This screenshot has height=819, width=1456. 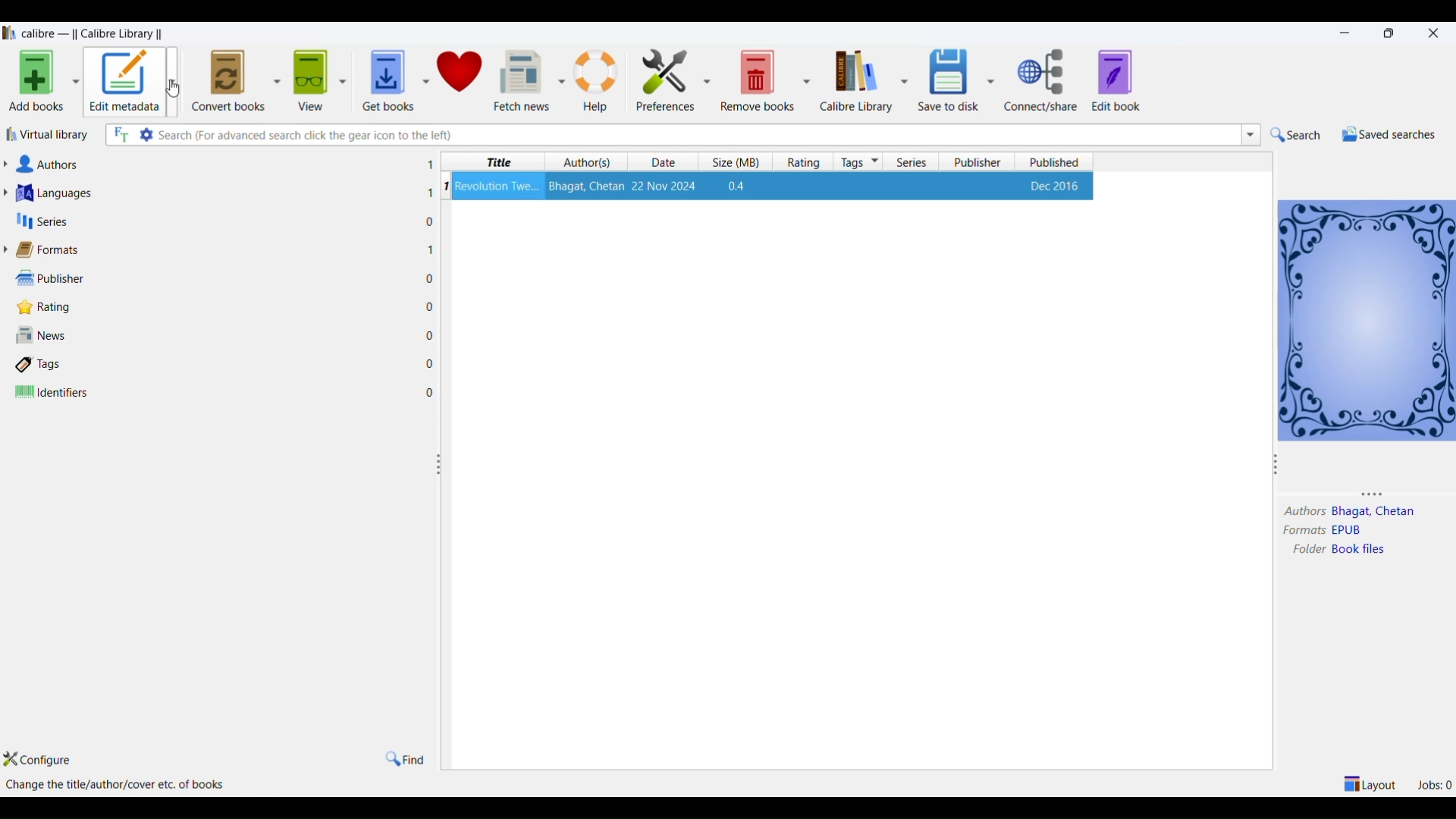 What do you see at coordinates (461, 74) in the screenshot?
I see `donate to calibre` at bounding box center [461, 74].